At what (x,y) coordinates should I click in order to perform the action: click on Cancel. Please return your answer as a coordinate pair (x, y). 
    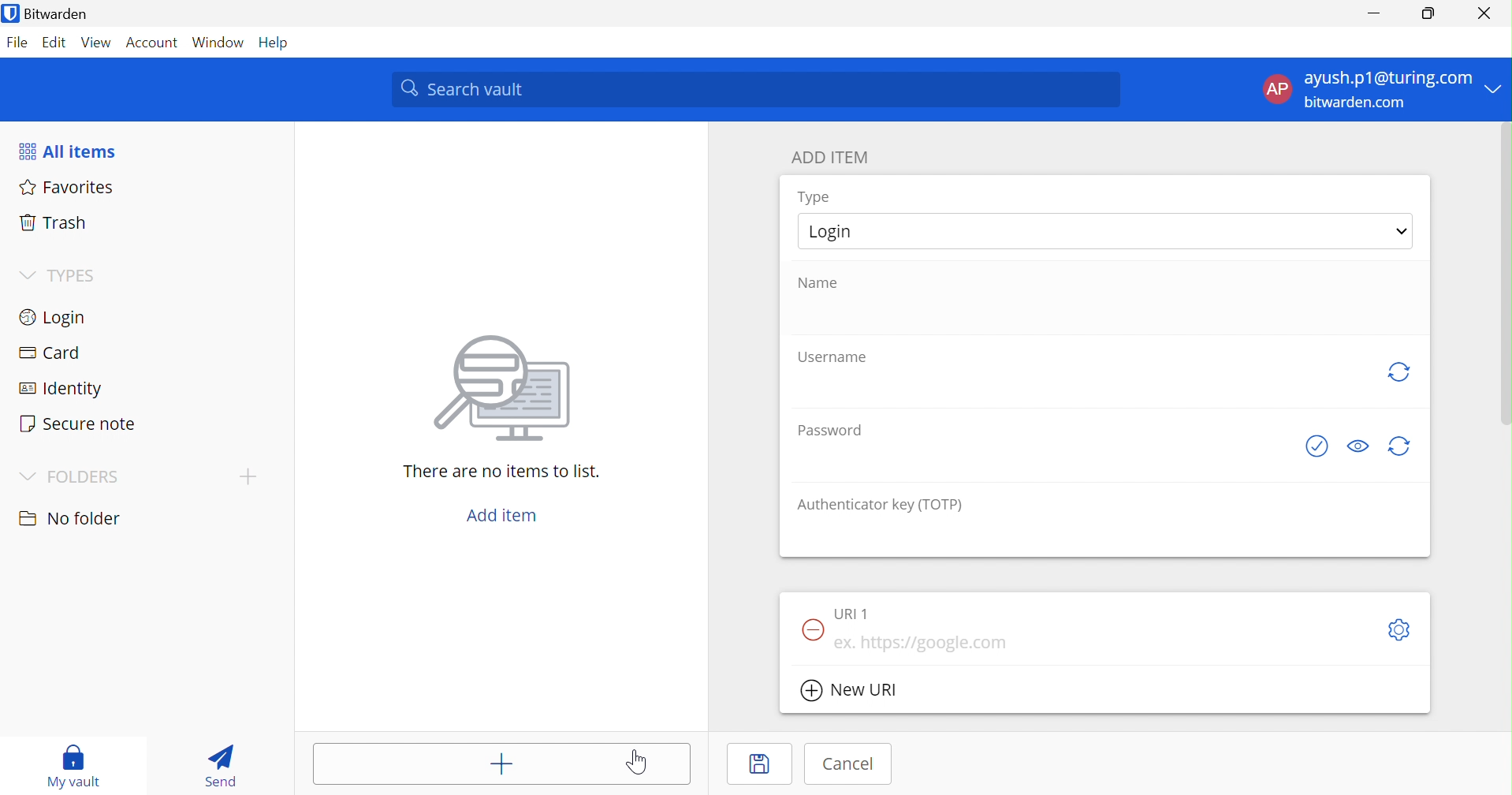
    Looking at the image, I should click on (849, 763).